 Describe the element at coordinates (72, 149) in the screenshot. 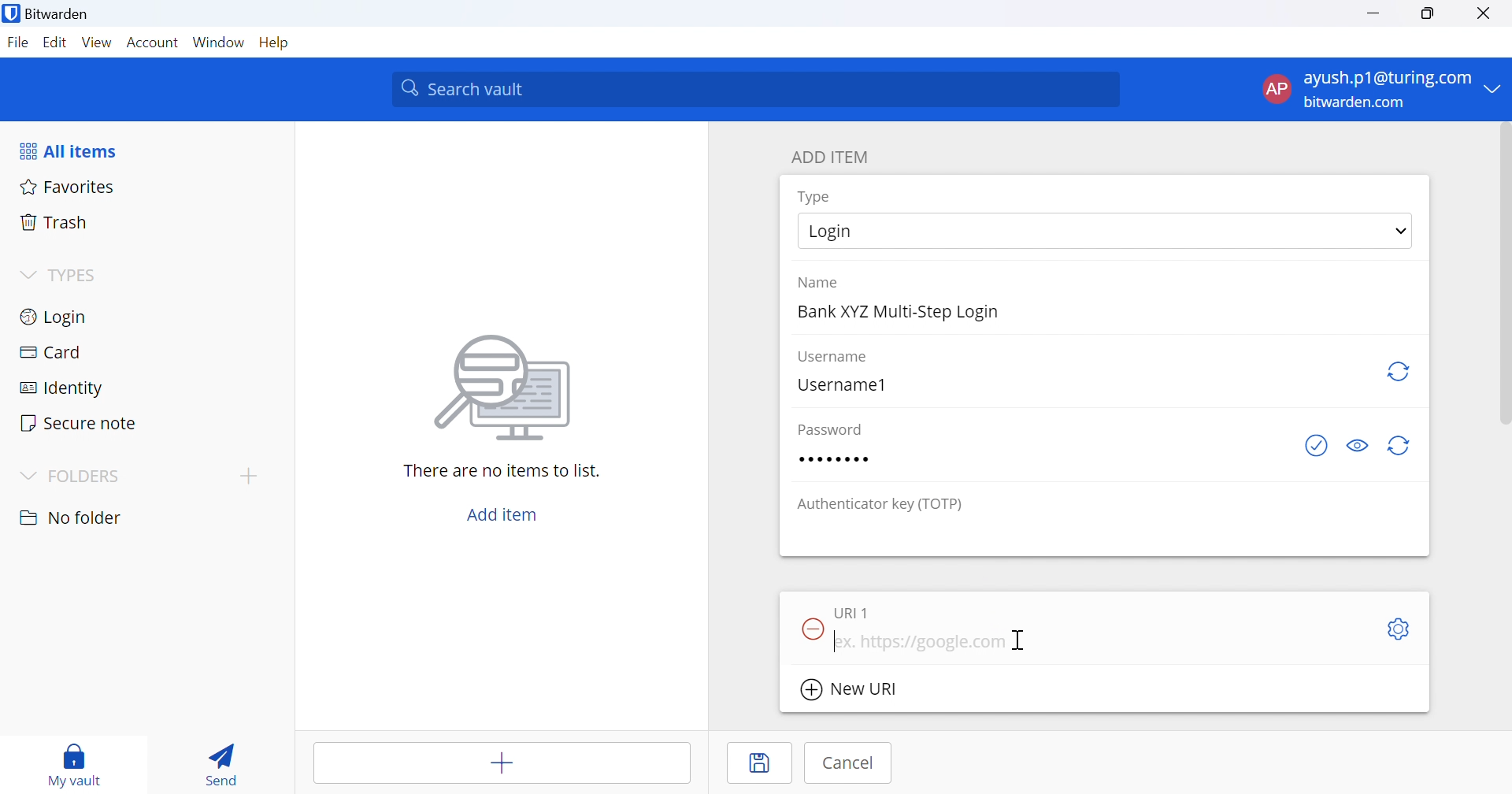

I see `All items` at that location.